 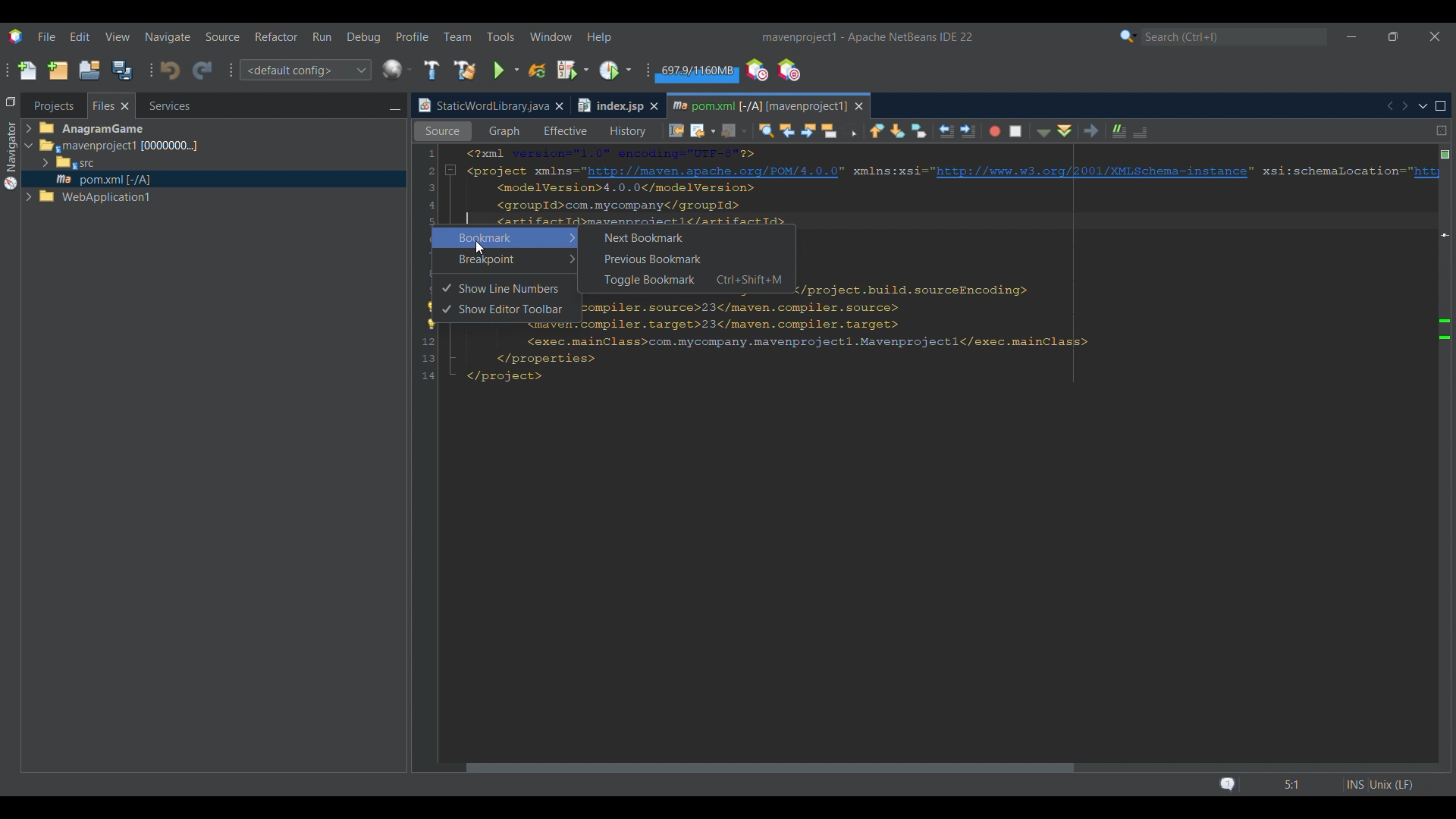 What do you see at coordinates (202, 71) in the screenshot?
I see `Redo` at bounding box center [202, 71].